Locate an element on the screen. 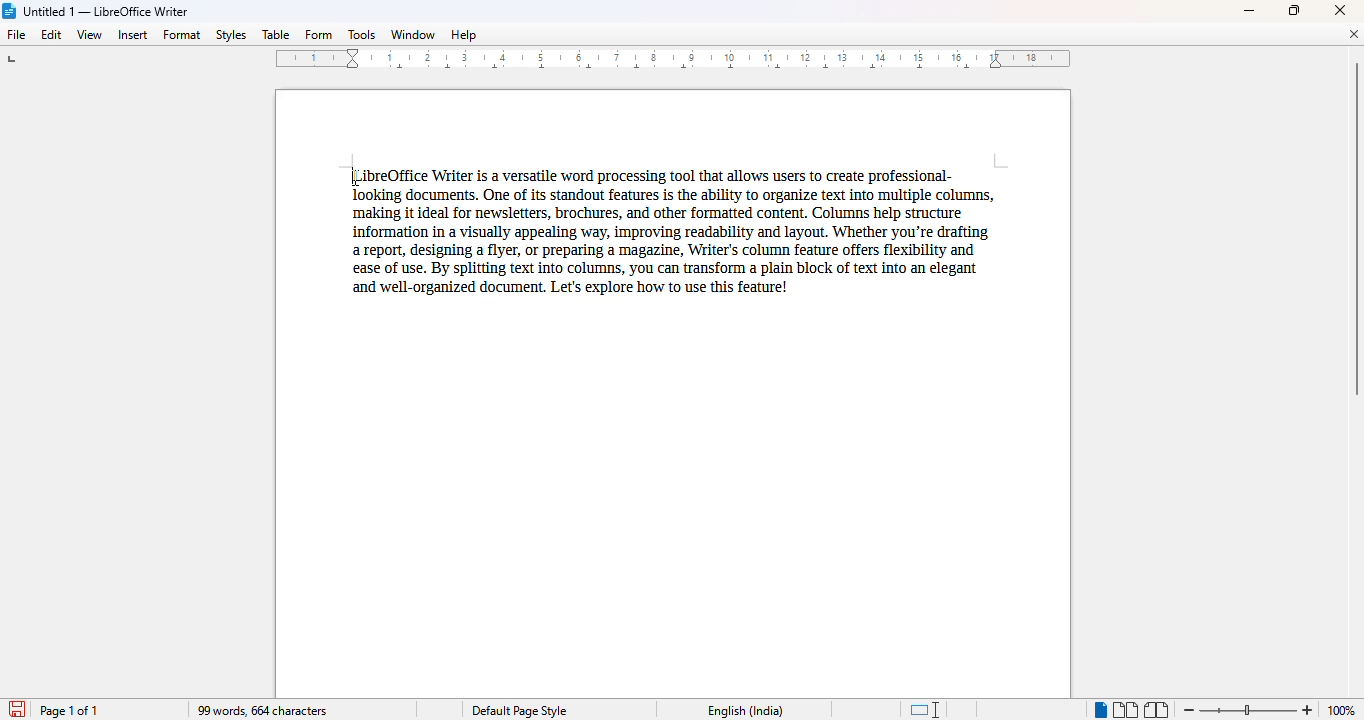 The width and height of the screenshot is (1364, 720). Change zoom level is located at coordinates (1248, 707).